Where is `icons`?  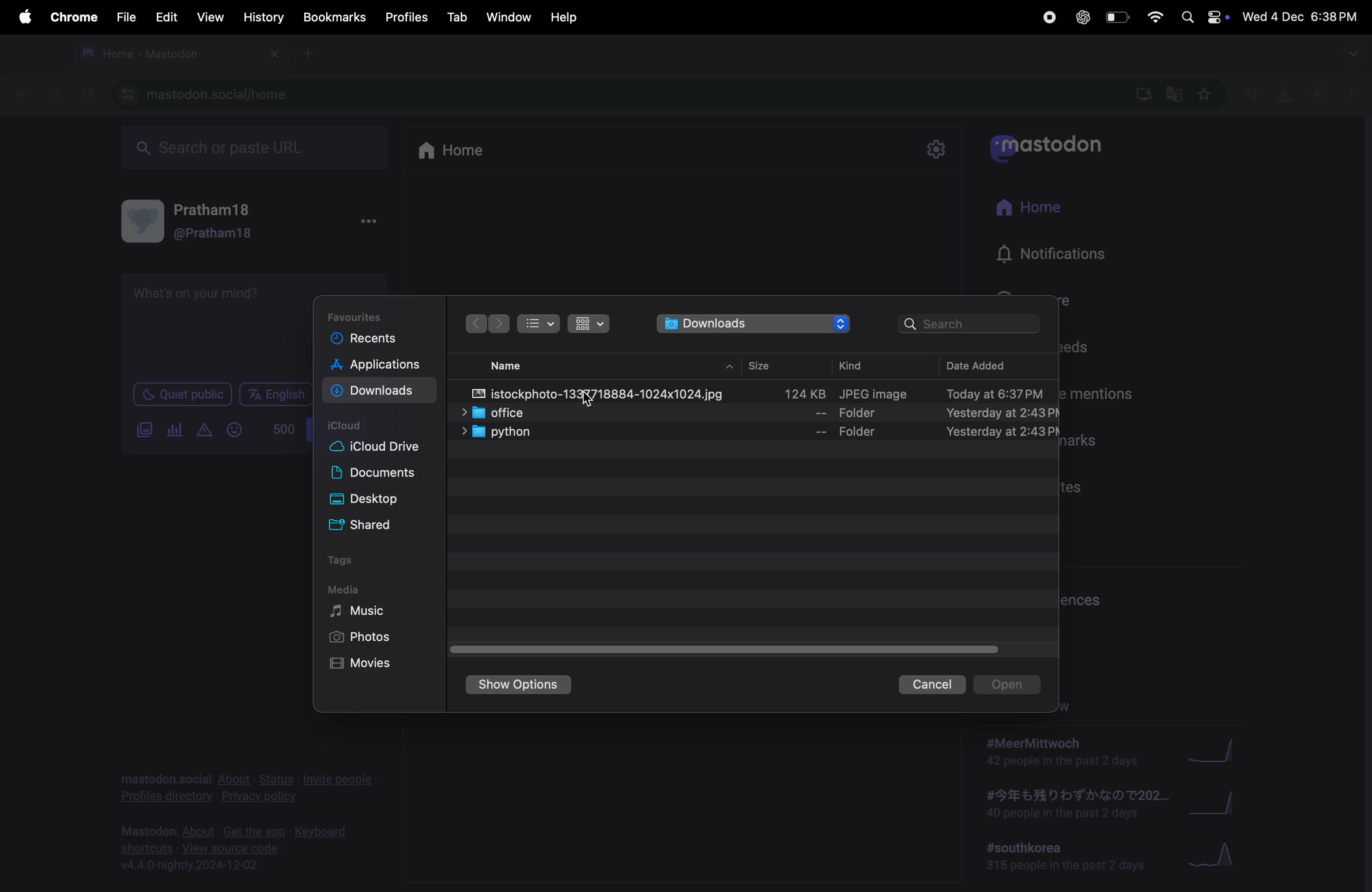
icons is located at coordinates (589, 324).